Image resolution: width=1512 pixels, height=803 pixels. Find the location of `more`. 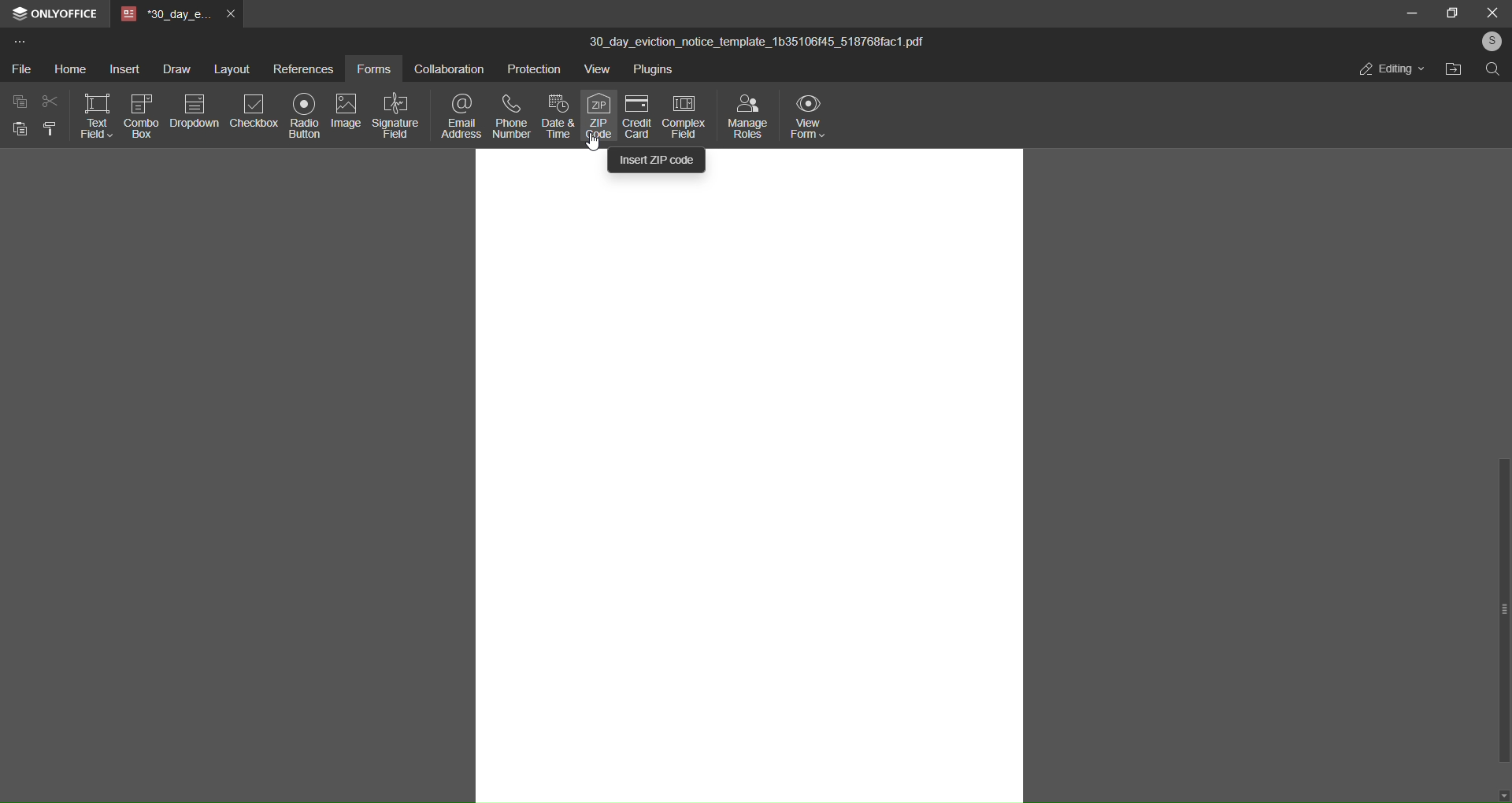

more is located at coordinates (17, 40).